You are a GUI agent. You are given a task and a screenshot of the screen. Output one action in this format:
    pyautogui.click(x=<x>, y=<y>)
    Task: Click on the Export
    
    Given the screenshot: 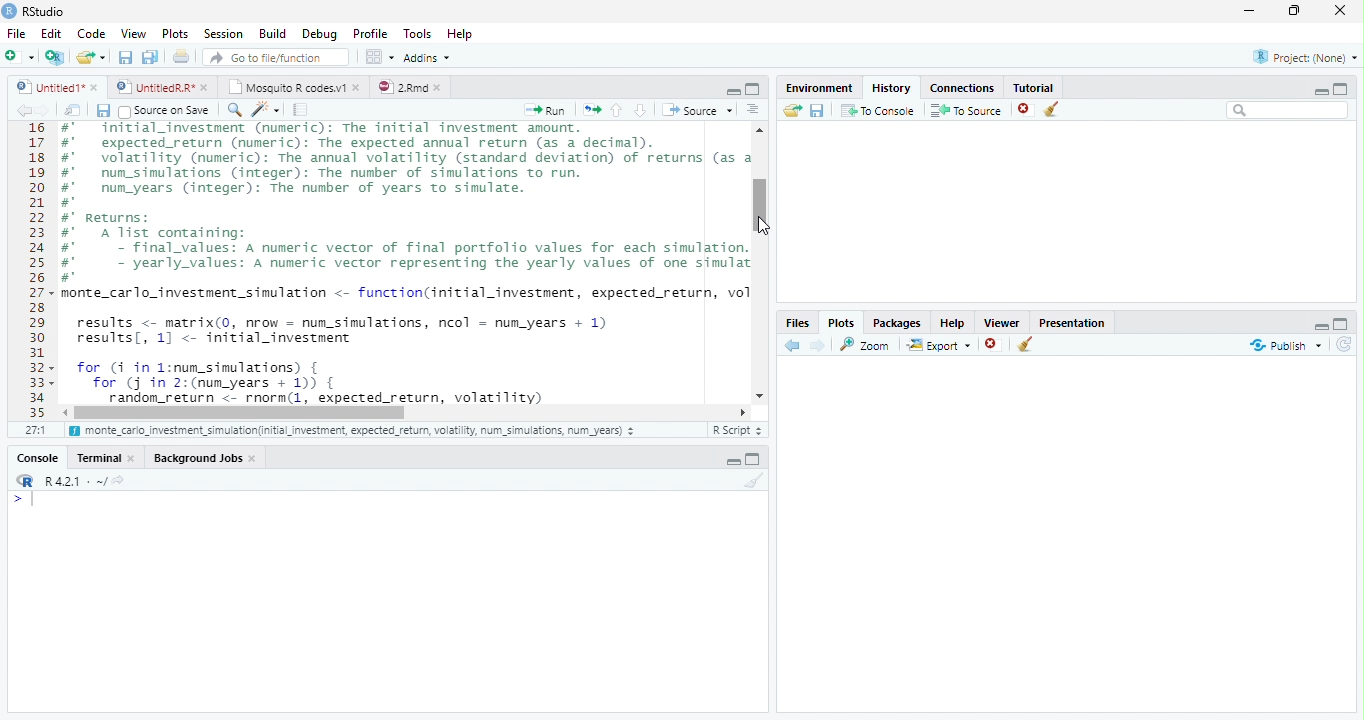 What is the action you would take?
    pyautogui.click(x=937, y=345)
    